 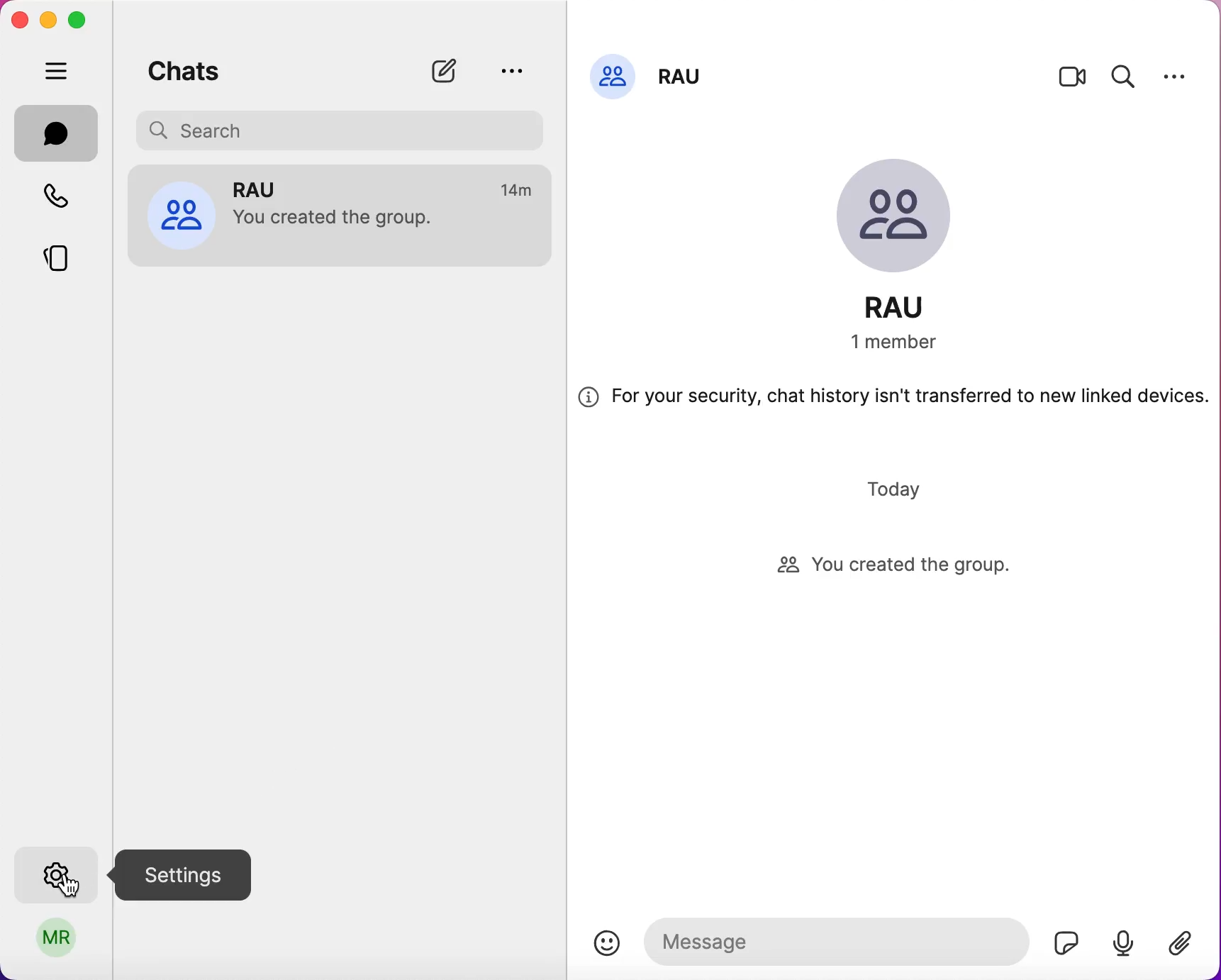 I want to click on members, so click(x=905, y=345).